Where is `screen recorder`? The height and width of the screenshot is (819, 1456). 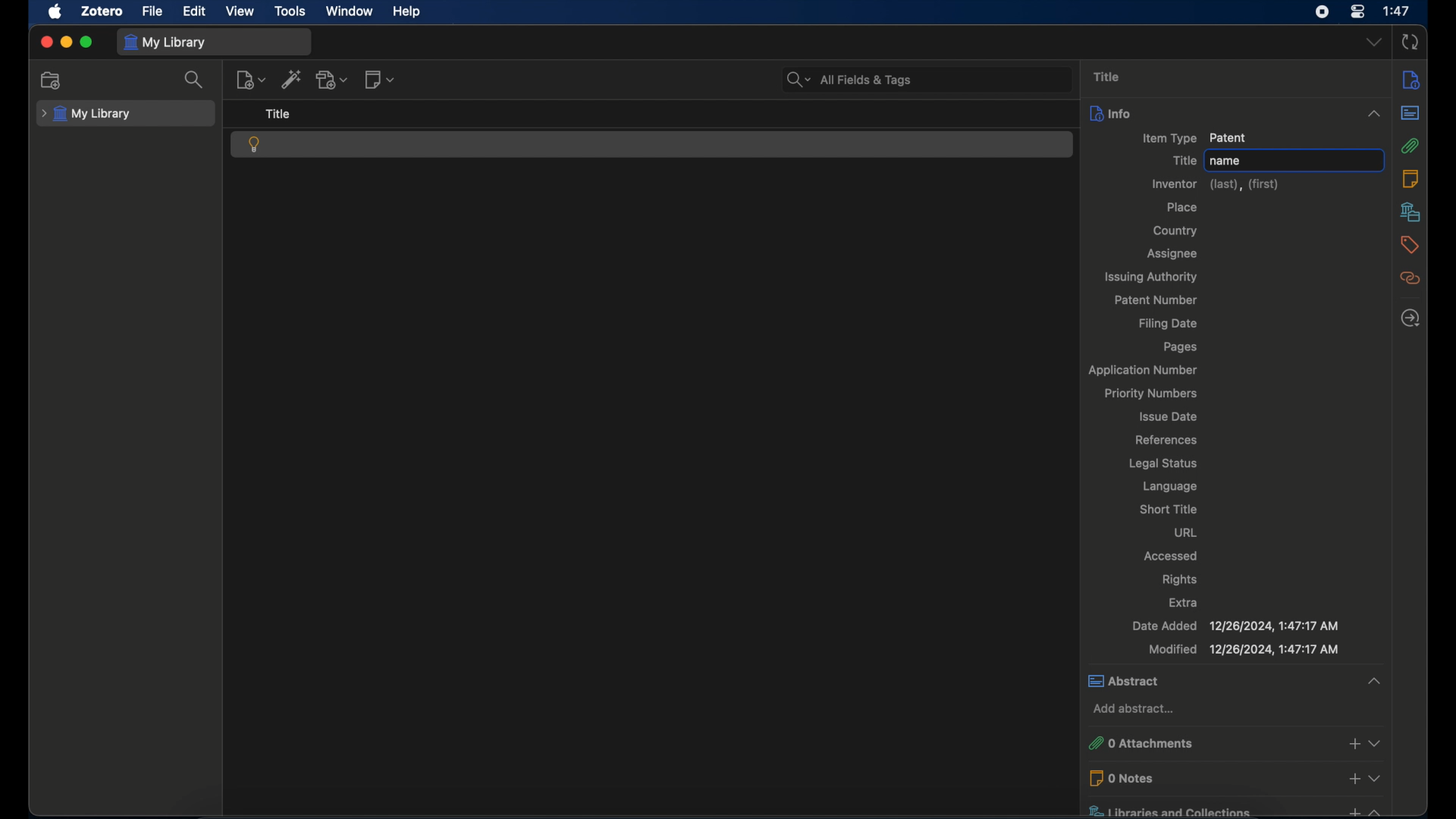 screen recorder is located at coordinates (1323, 11).